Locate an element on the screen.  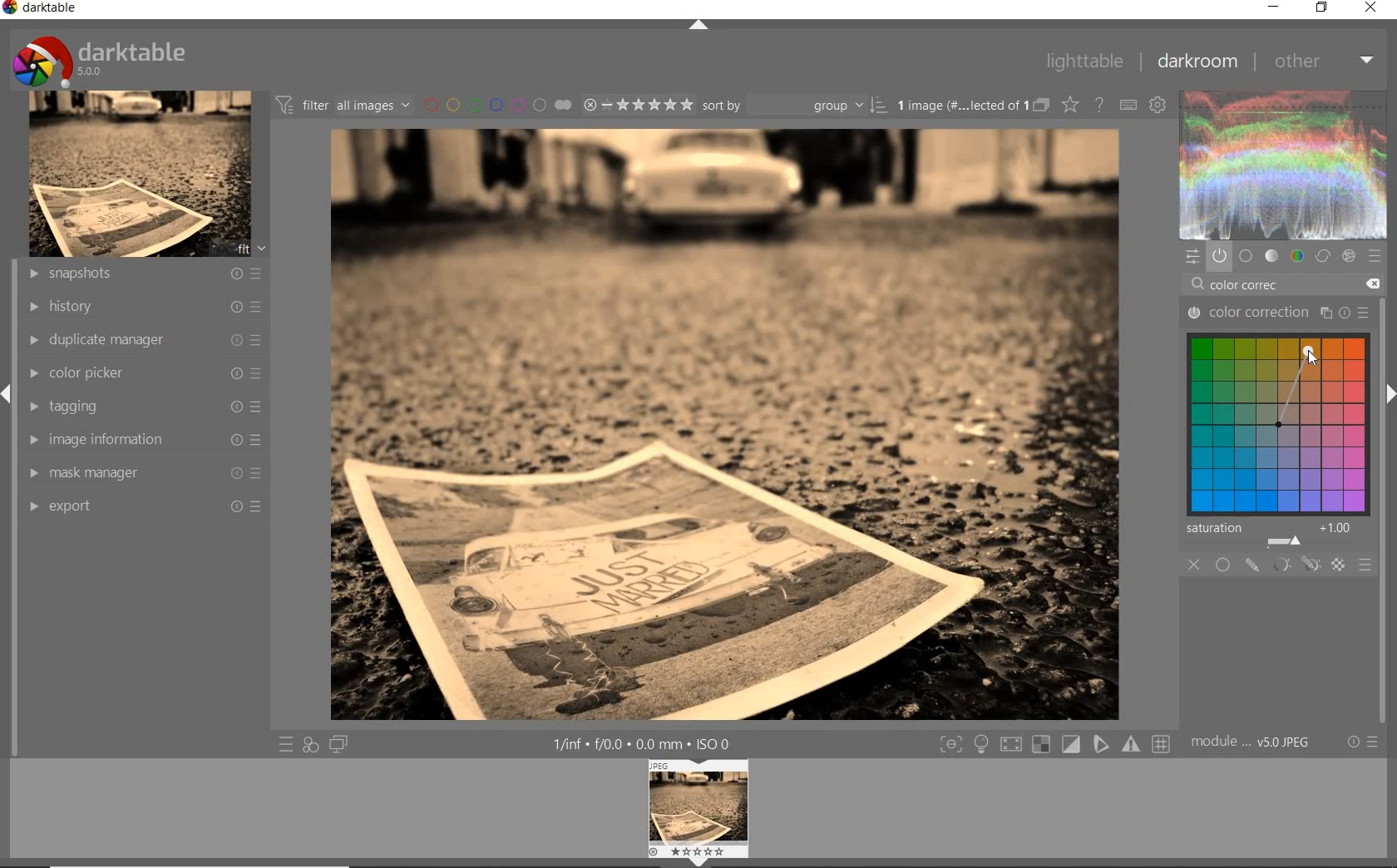
show only active module is located at coordinates (1220, 257).